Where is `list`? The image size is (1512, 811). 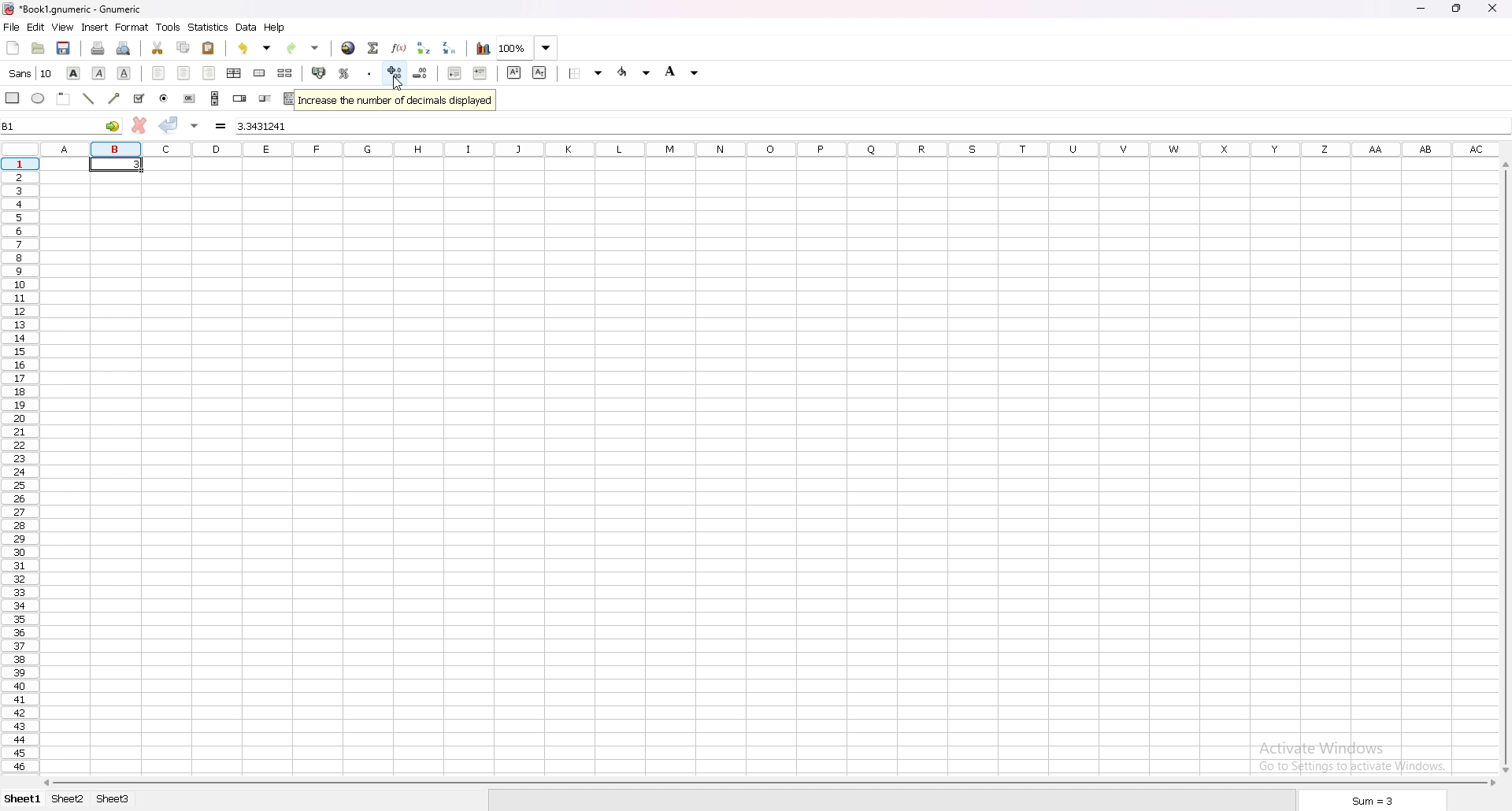 list is located at coordinates (290, 98).